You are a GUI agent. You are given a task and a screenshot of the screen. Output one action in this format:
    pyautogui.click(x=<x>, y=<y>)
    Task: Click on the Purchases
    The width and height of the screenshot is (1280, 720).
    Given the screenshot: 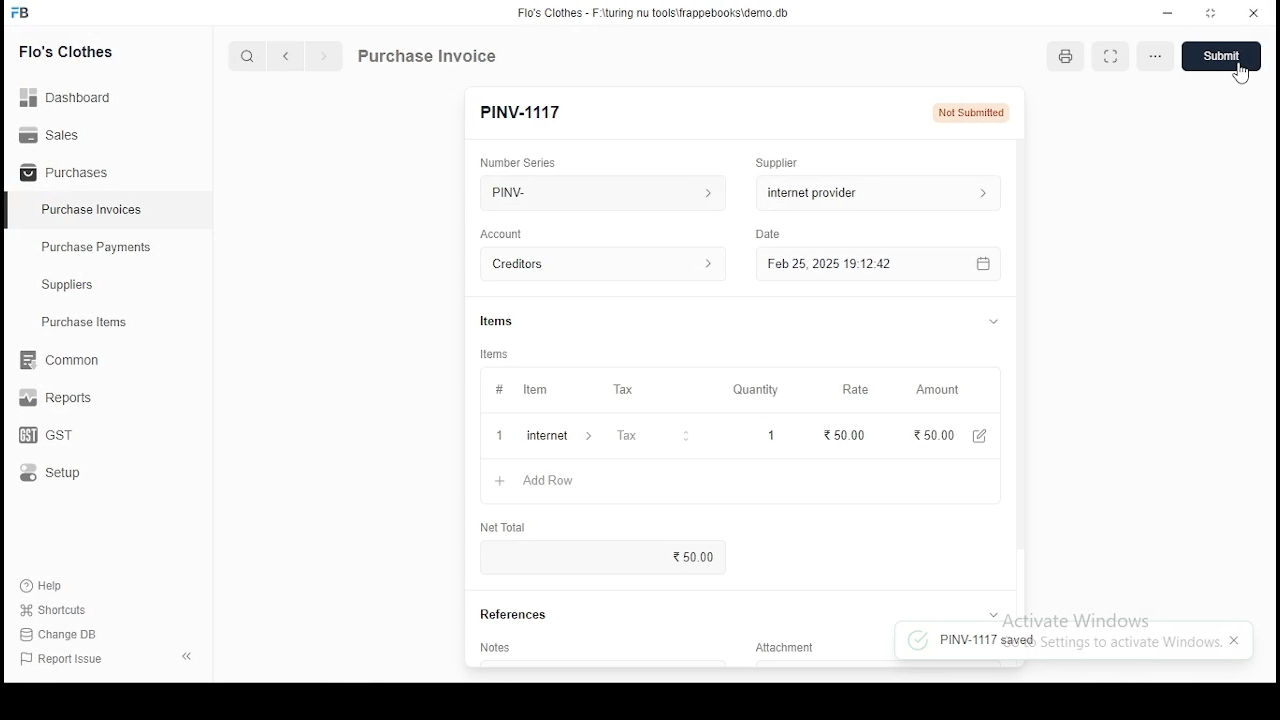 What is the action you would take?
    pyautogui.click(x=65, y=173)
    